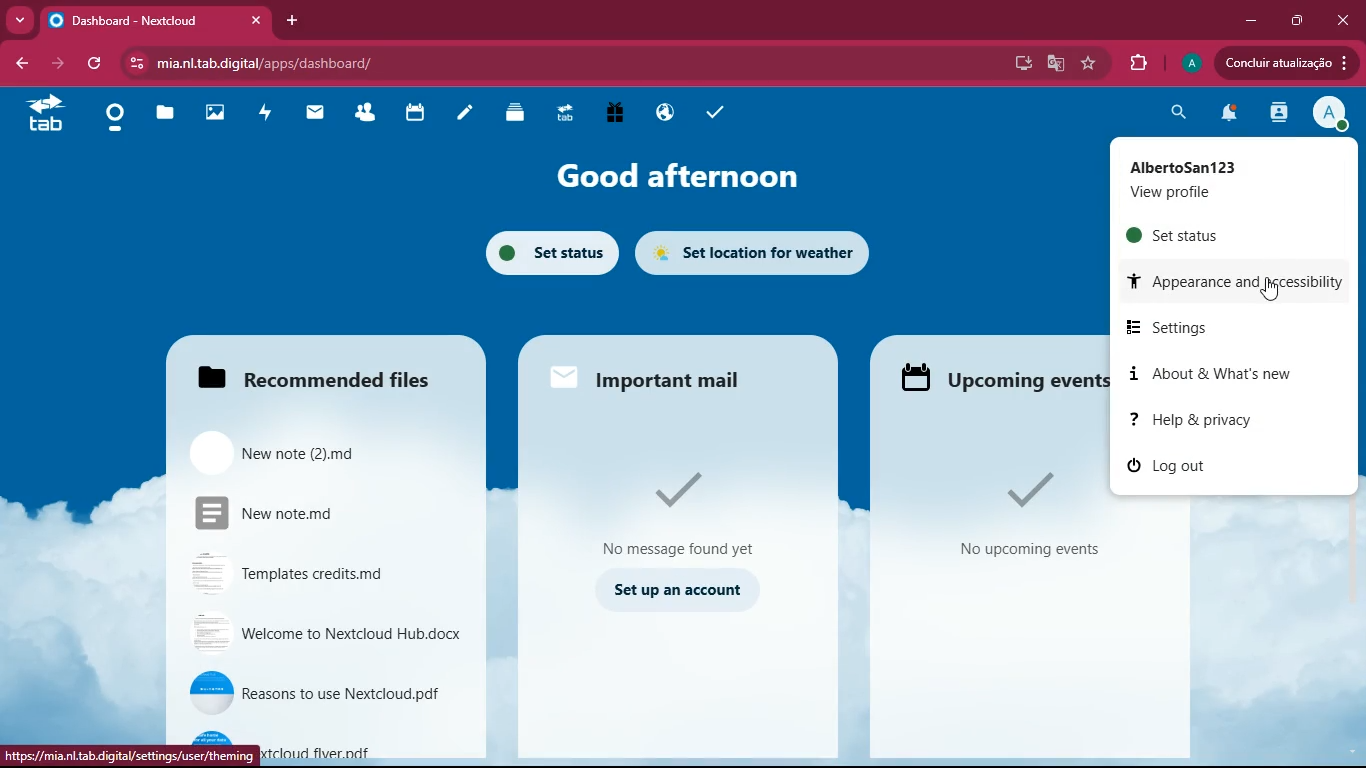  Describe the element at coordinates (18, 21) in the screenshot. I see `more` at that location.